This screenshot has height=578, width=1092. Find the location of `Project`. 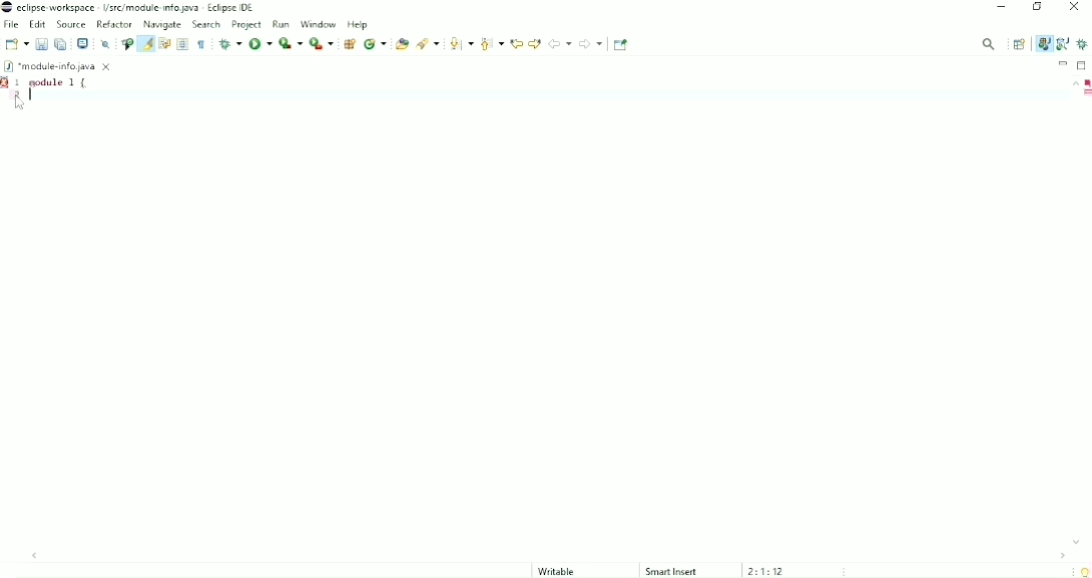

Project is located at coordinates (247, 24).